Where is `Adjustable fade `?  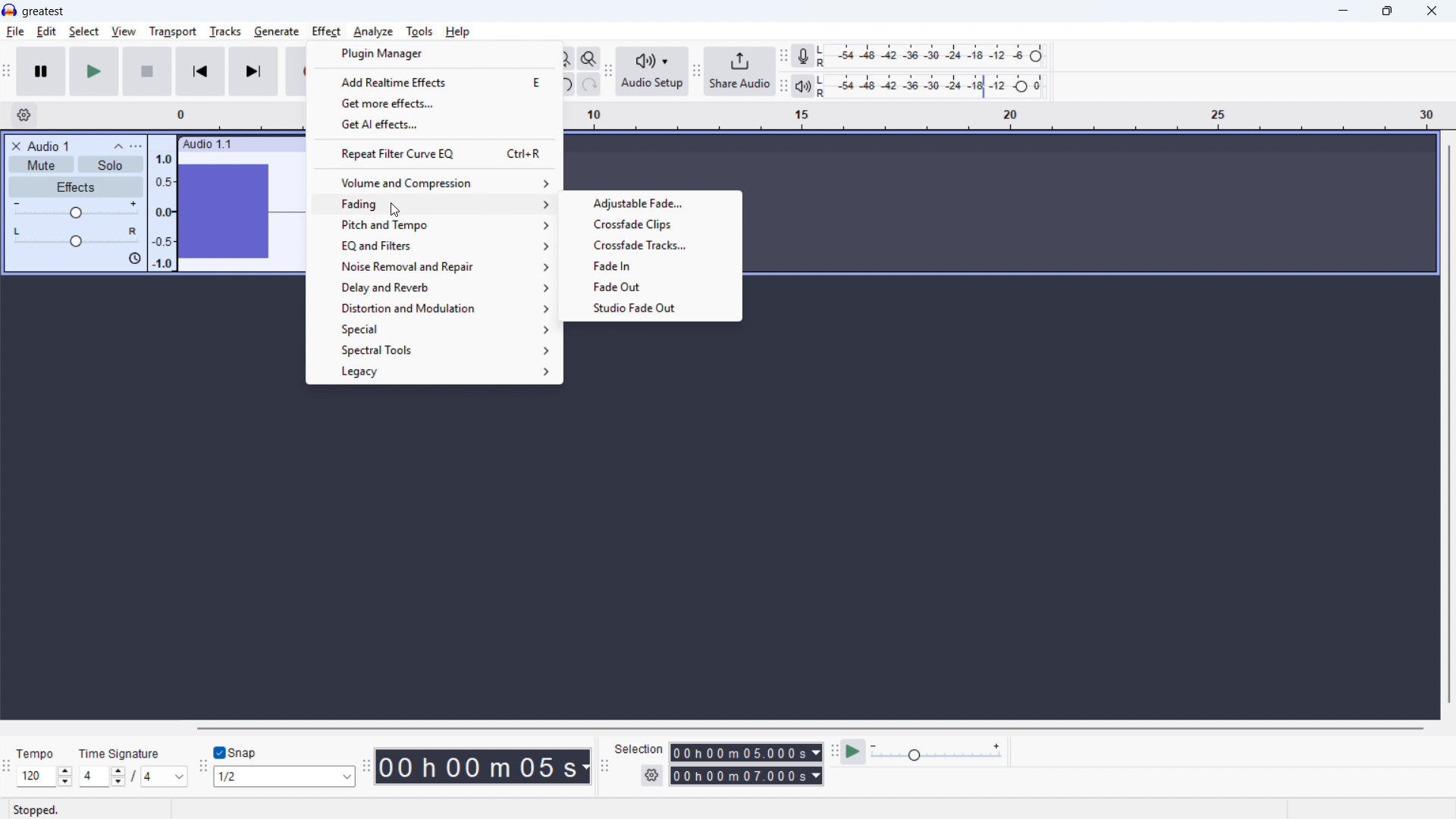 Adjustable fade  is located at coordinates (651, 204).